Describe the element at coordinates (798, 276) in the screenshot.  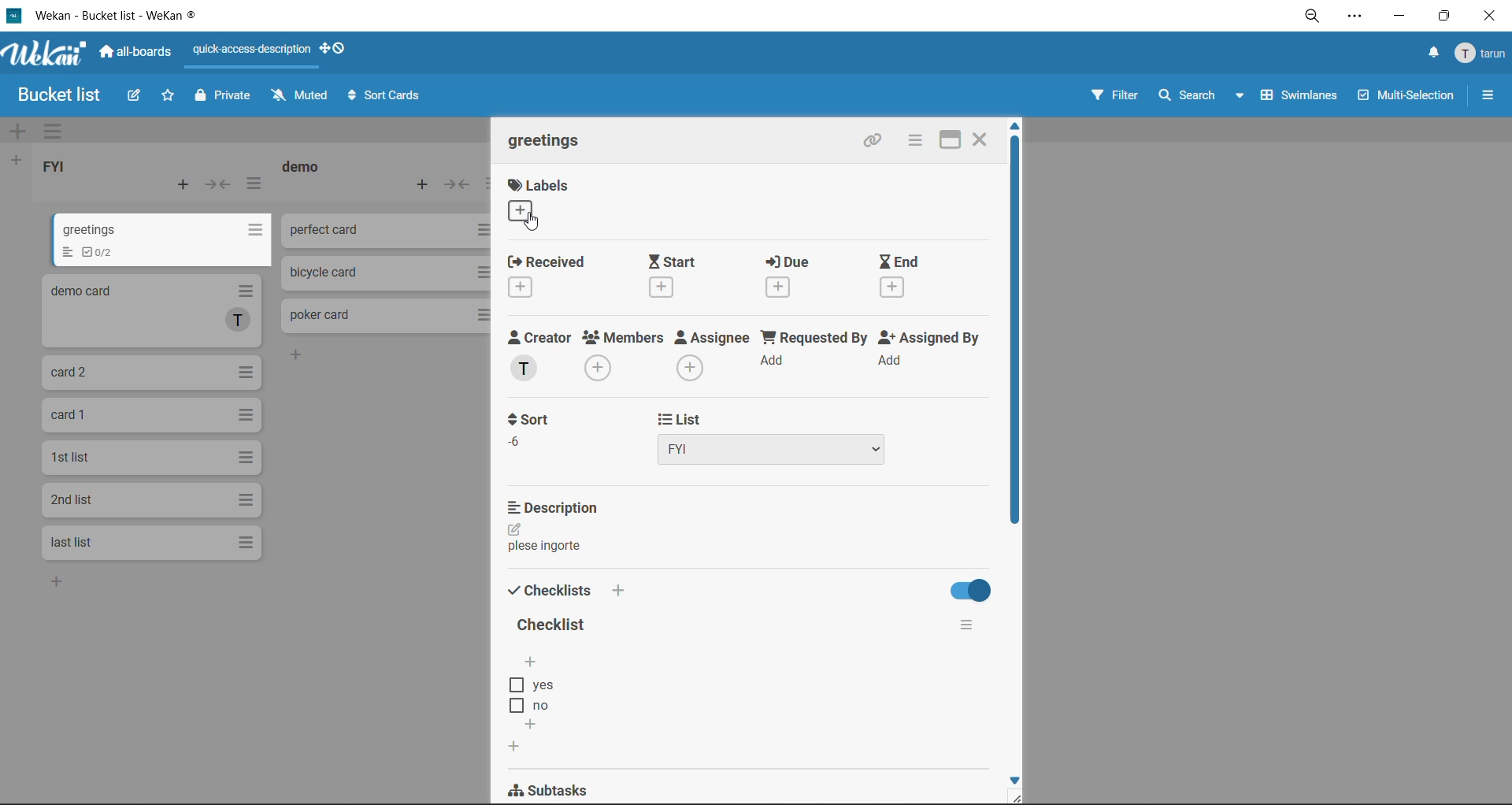
I see `due` at that location.